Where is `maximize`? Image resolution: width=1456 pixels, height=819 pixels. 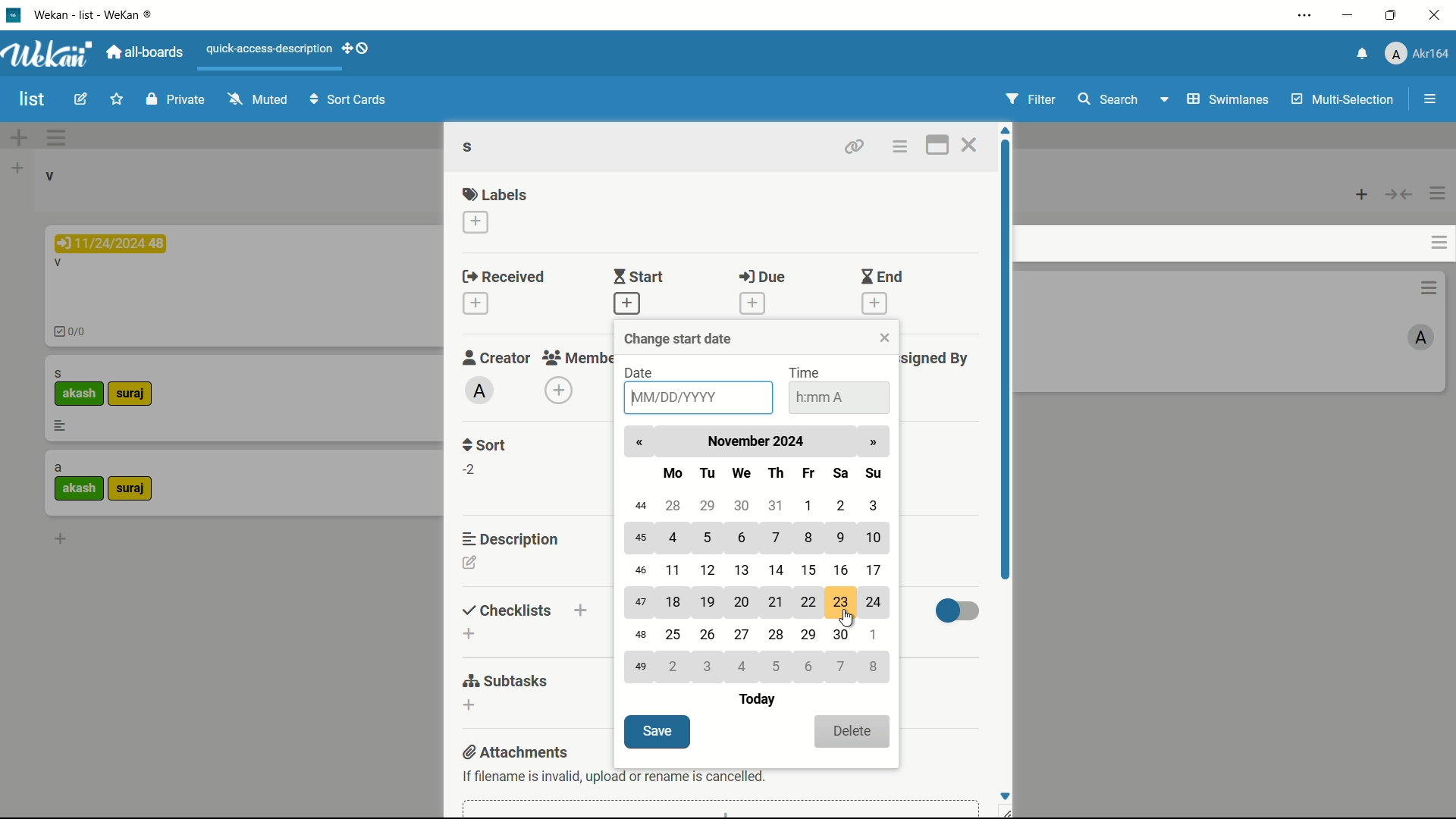 maximize is located at coordinates (1391, 16).